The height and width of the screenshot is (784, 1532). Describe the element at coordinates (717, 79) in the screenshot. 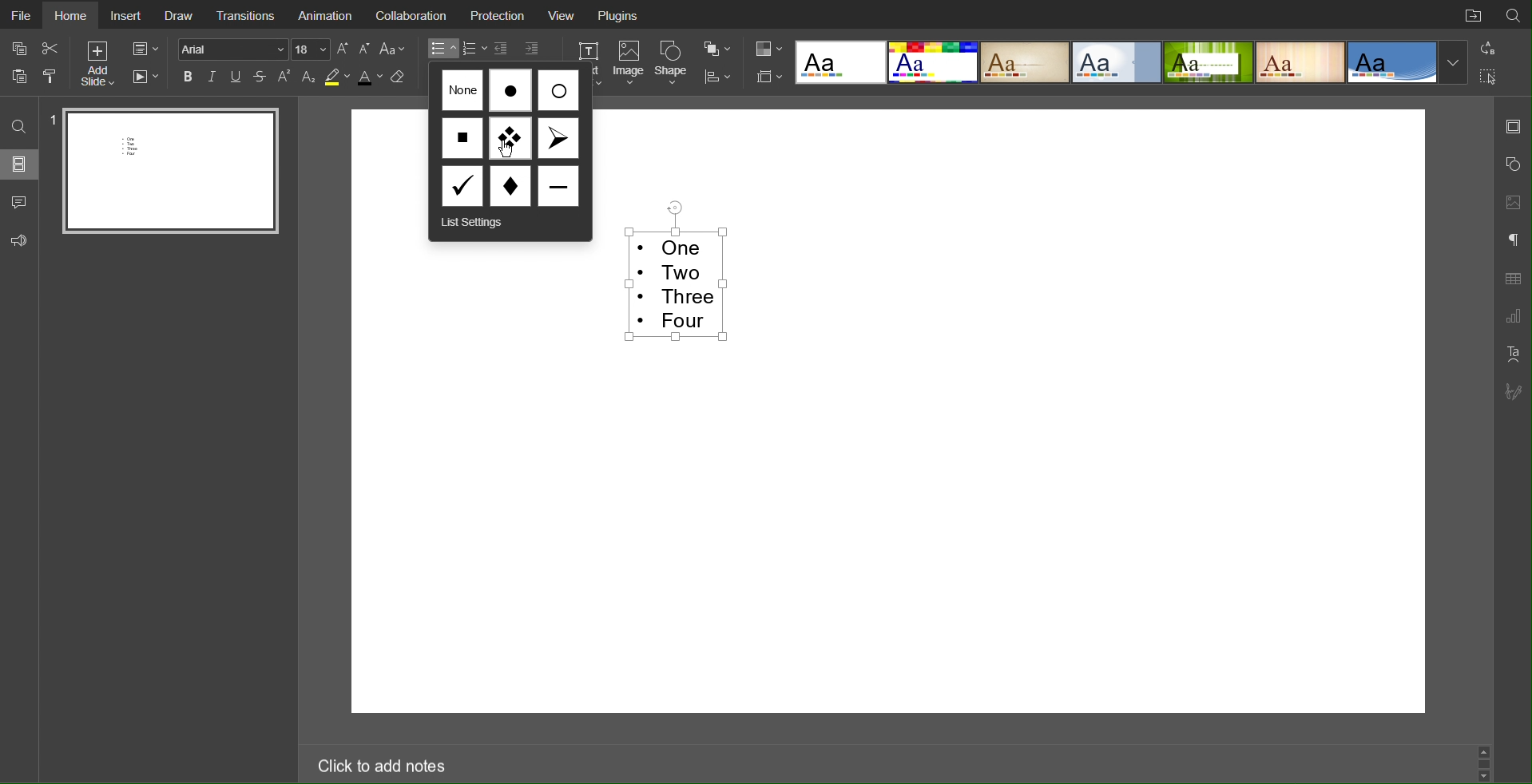

I see `Distribute` at that location.